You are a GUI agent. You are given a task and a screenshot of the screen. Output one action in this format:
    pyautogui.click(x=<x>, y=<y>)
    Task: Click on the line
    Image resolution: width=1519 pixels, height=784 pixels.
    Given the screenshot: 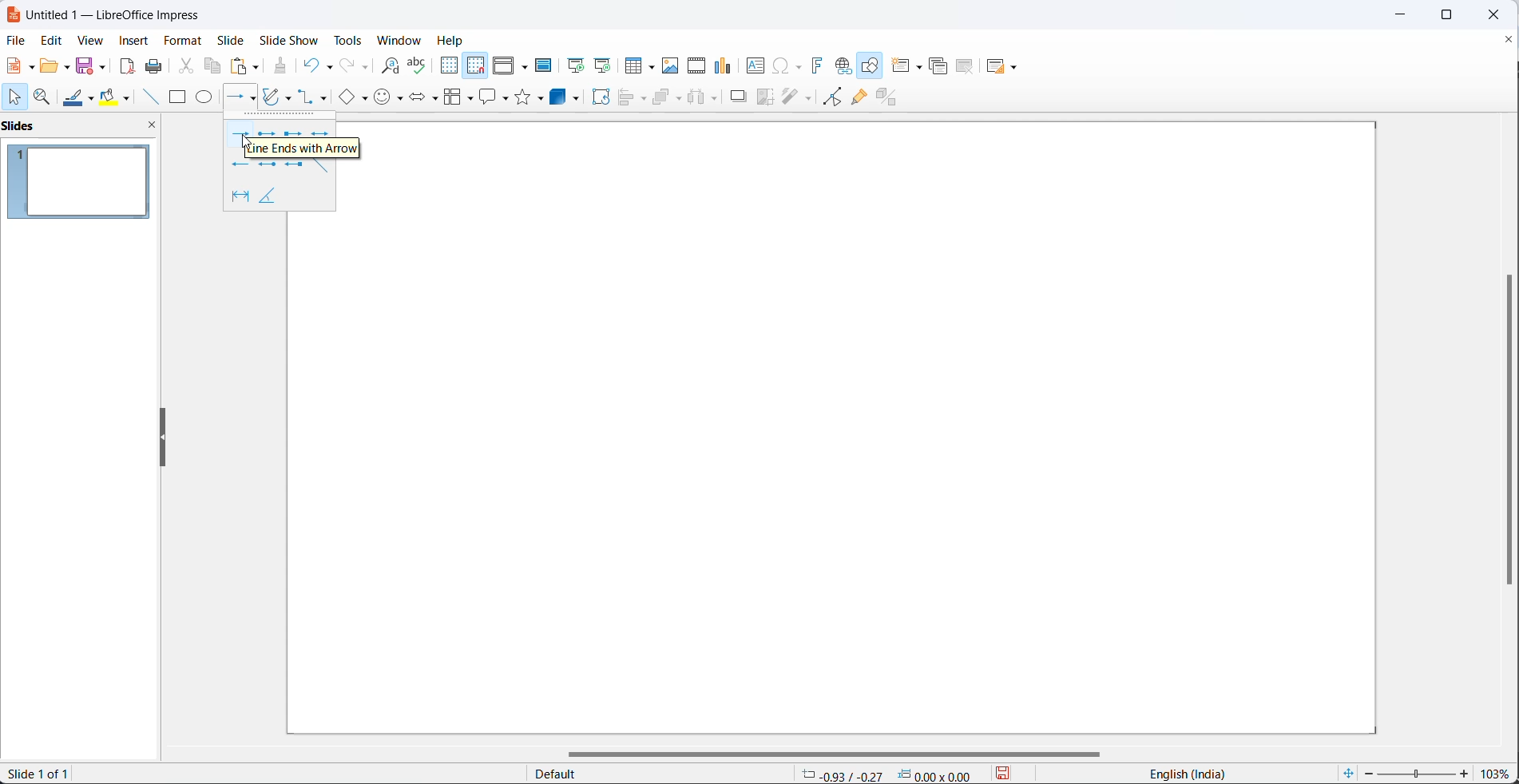 What is the action you would take?
    pyautogui.click(x=326, y=168)
    